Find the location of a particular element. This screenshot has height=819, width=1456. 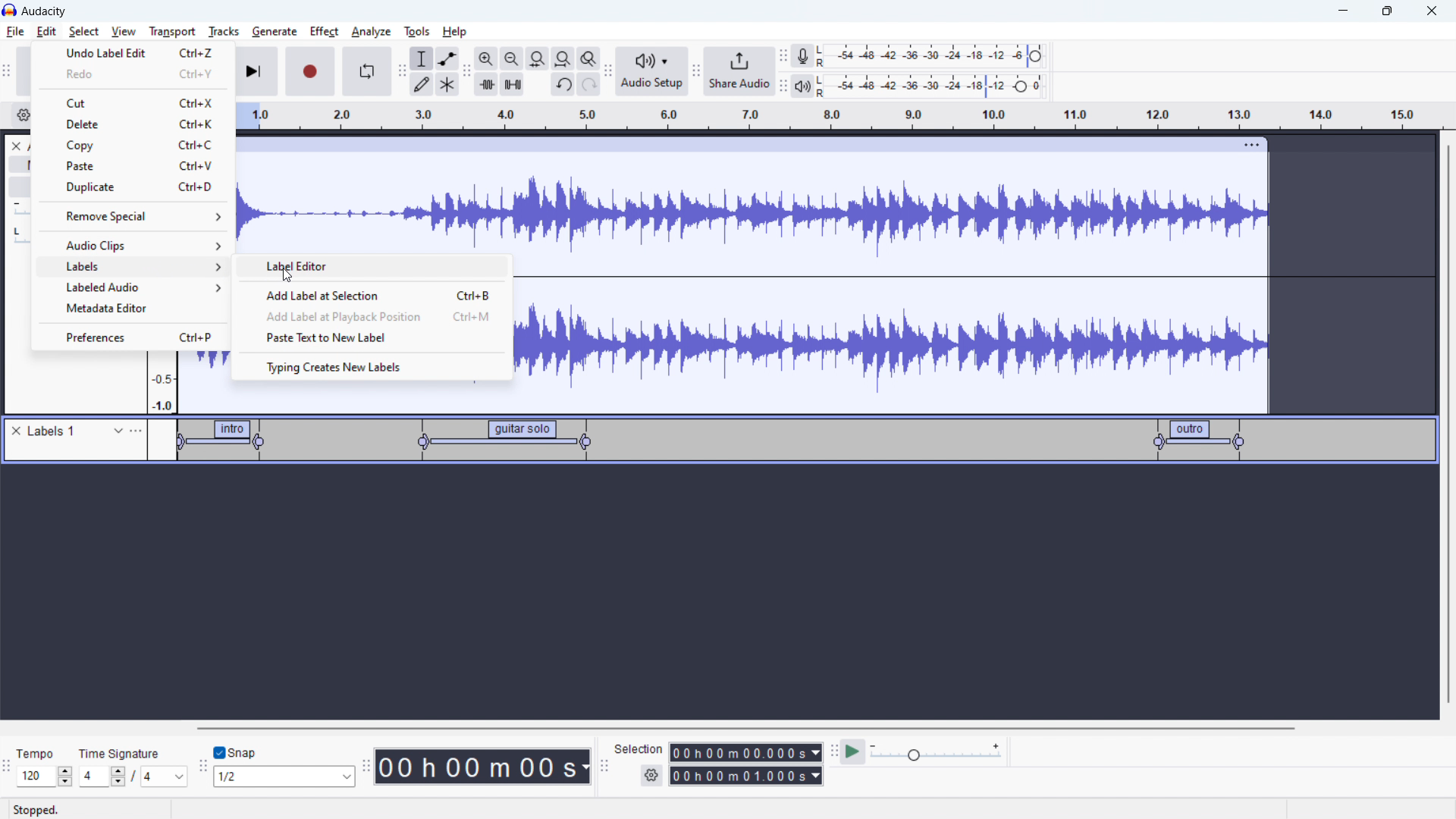

silence audio selection is located at coordinates (513, 84).